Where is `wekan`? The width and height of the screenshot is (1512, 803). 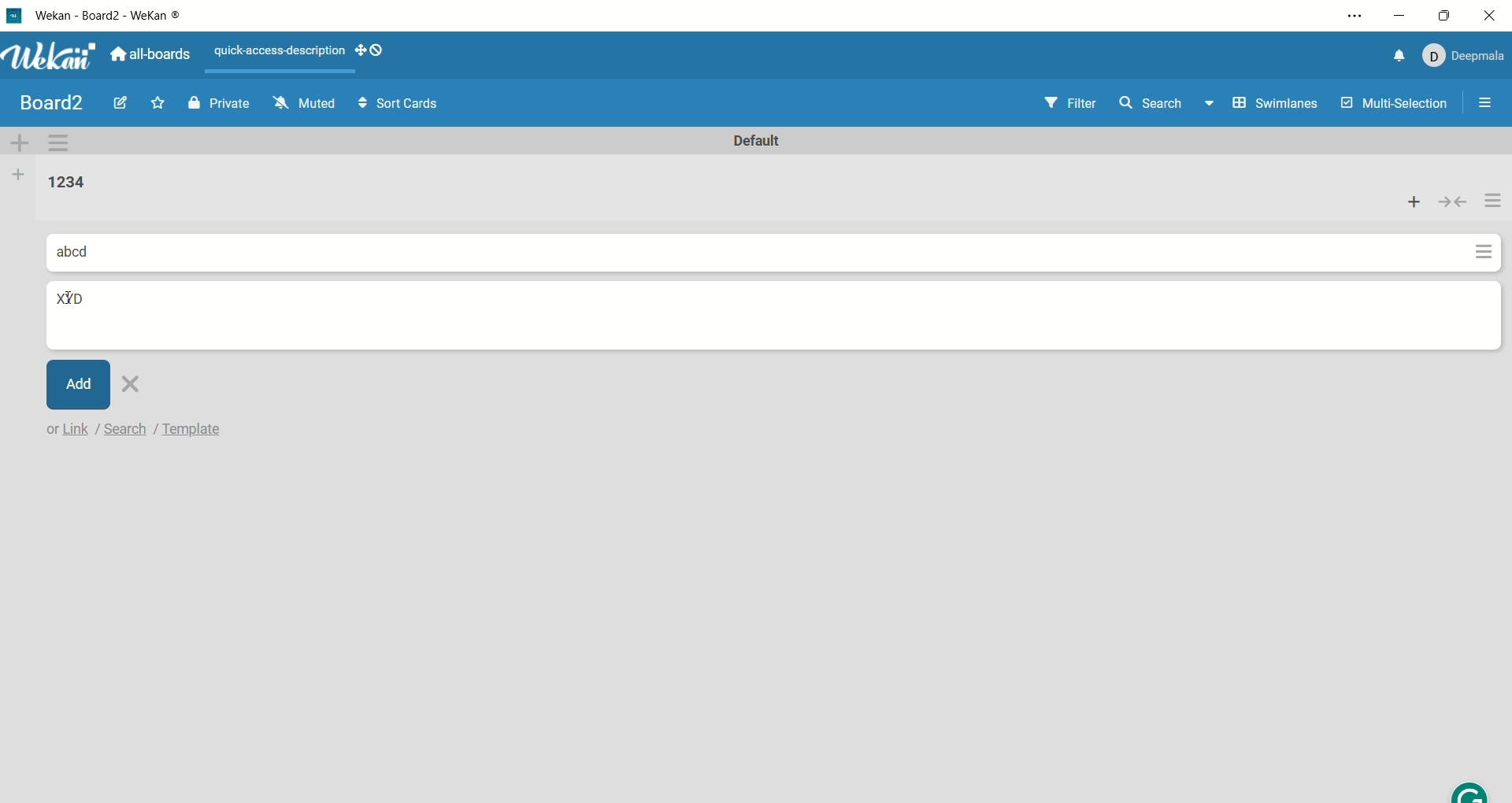 wekan is located at coordinates (54, 56).